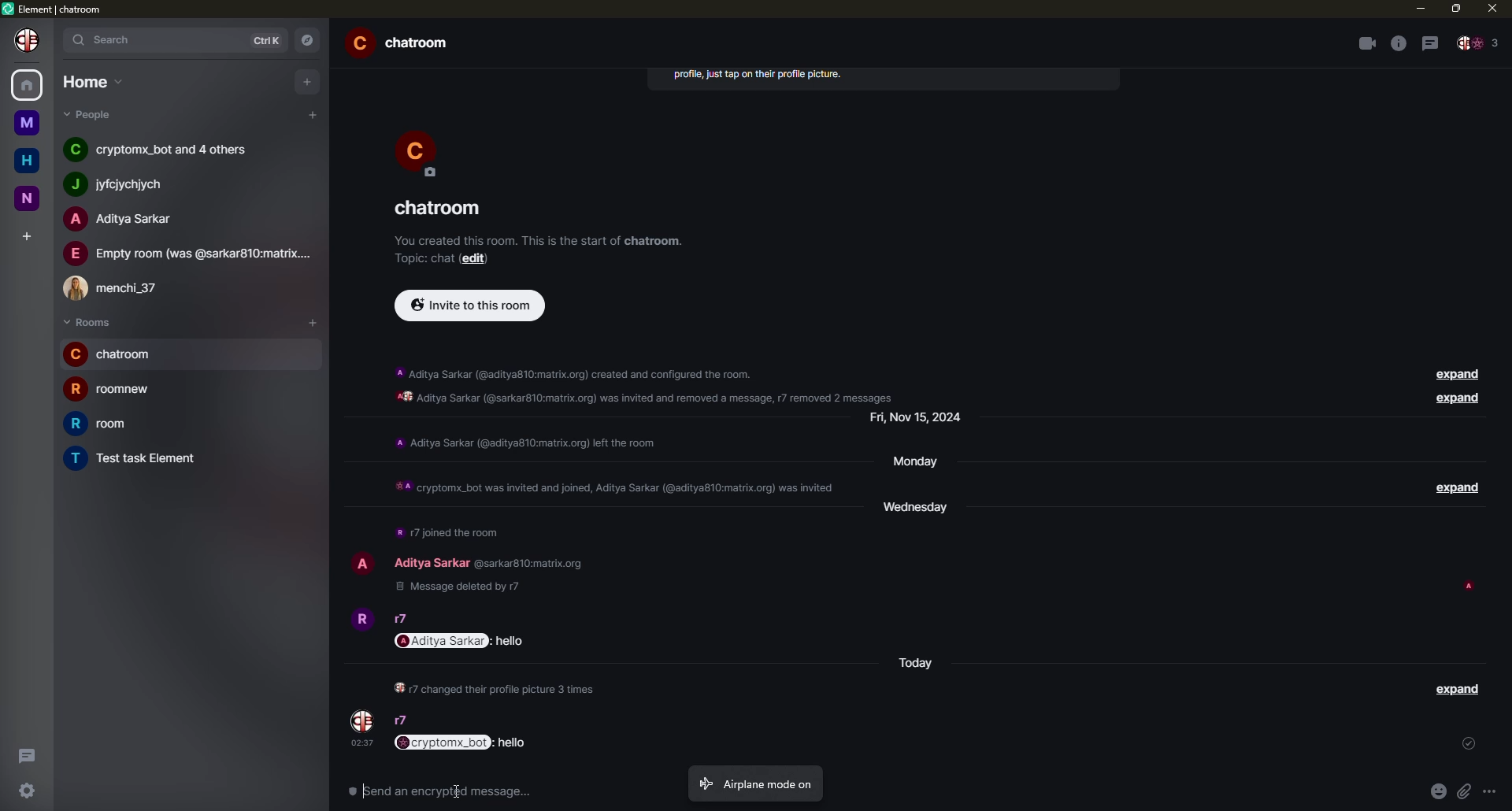  What do you see at coordinates (88, 322) in the screenshot?
I see `rooms` at bounding box center [88, 322].